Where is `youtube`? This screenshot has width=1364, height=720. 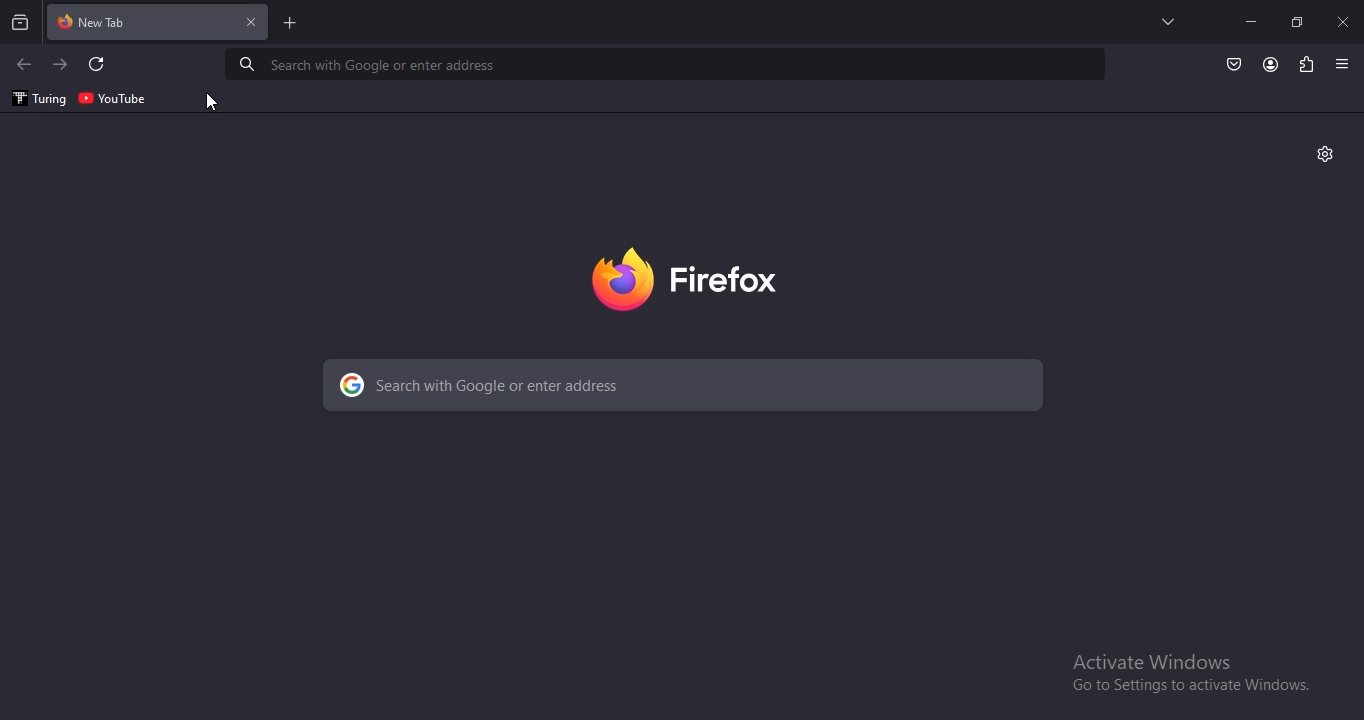 youtube is located at coordinates (113, 97).